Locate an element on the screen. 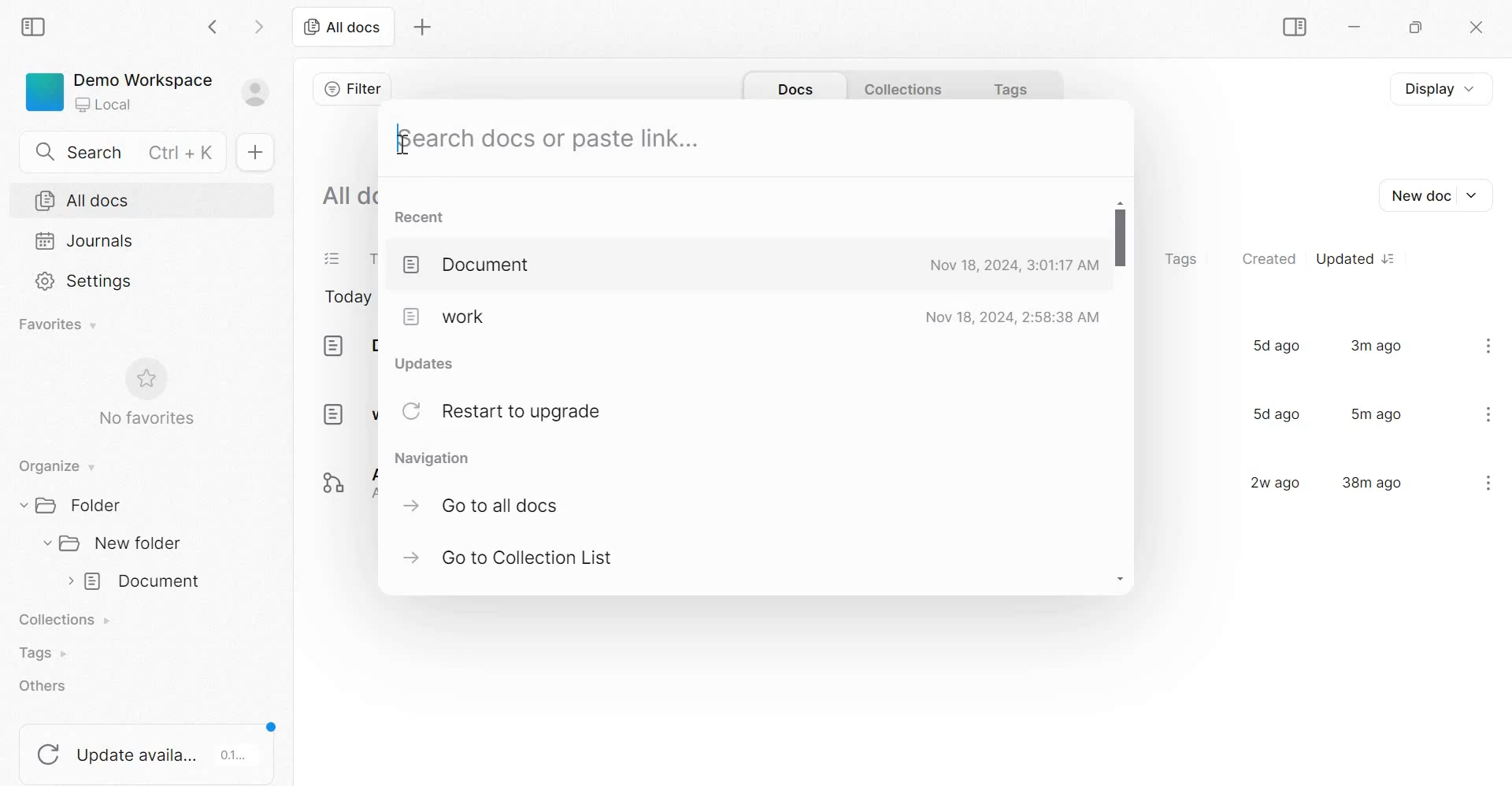 This screenshot has width=1512, height=786. No favorites is located at coordinates (144, 392).